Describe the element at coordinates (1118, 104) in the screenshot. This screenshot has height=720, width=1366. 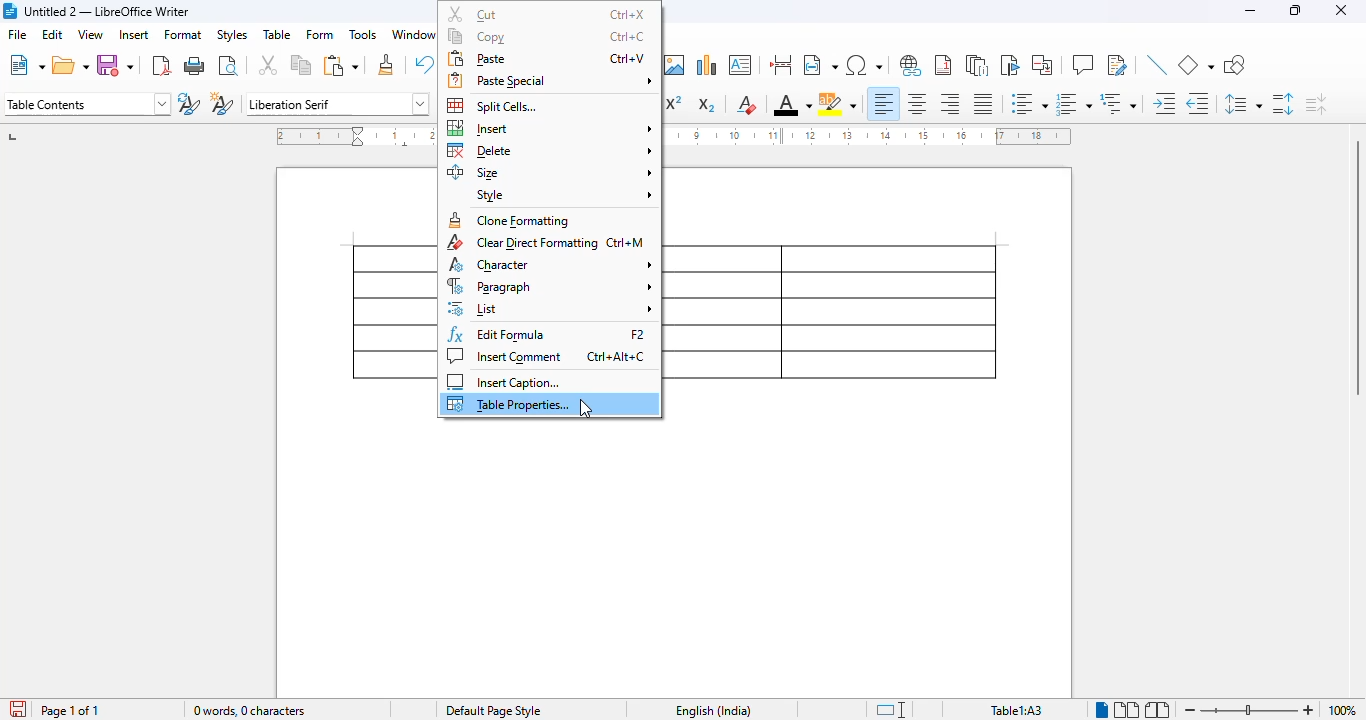
I see `select outline format` at that location.